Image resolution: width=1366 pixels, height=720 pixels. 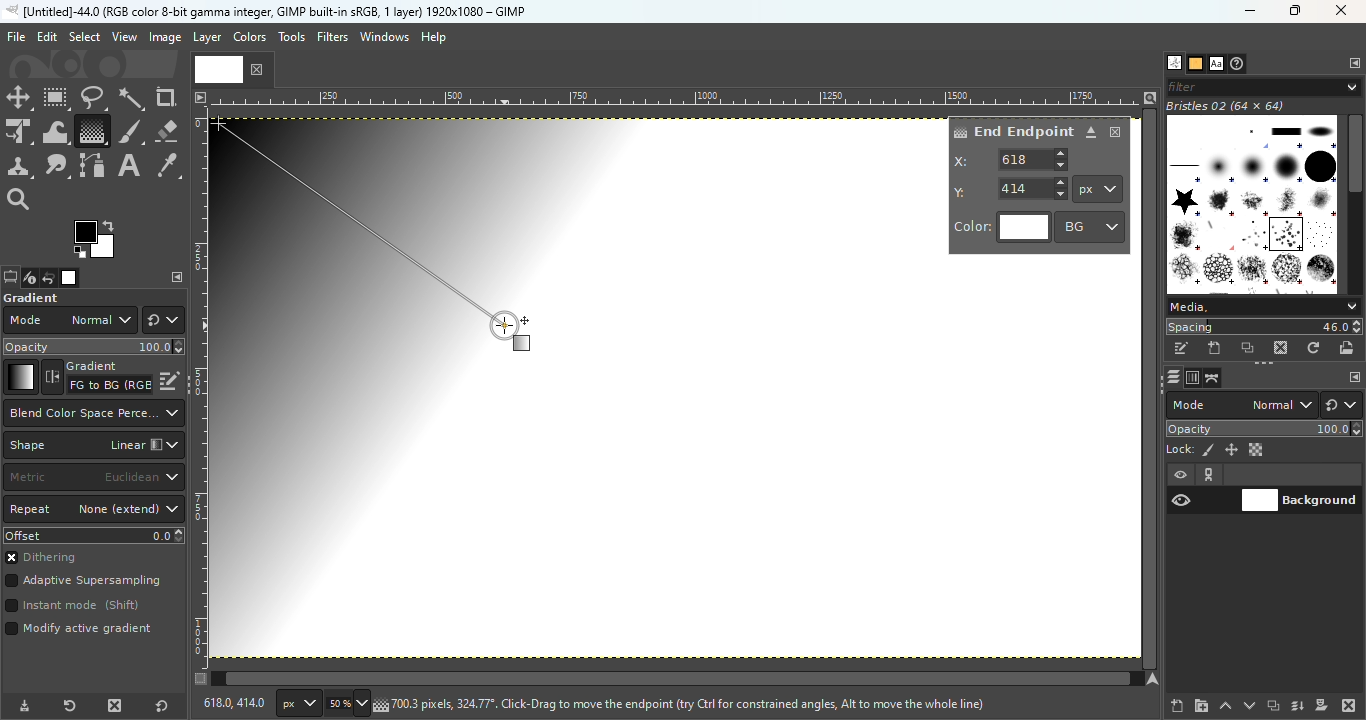 What do you see at coordinates (1091, 226) in the screenshot?
I see `Background color` at bounding box center [1091, 226].